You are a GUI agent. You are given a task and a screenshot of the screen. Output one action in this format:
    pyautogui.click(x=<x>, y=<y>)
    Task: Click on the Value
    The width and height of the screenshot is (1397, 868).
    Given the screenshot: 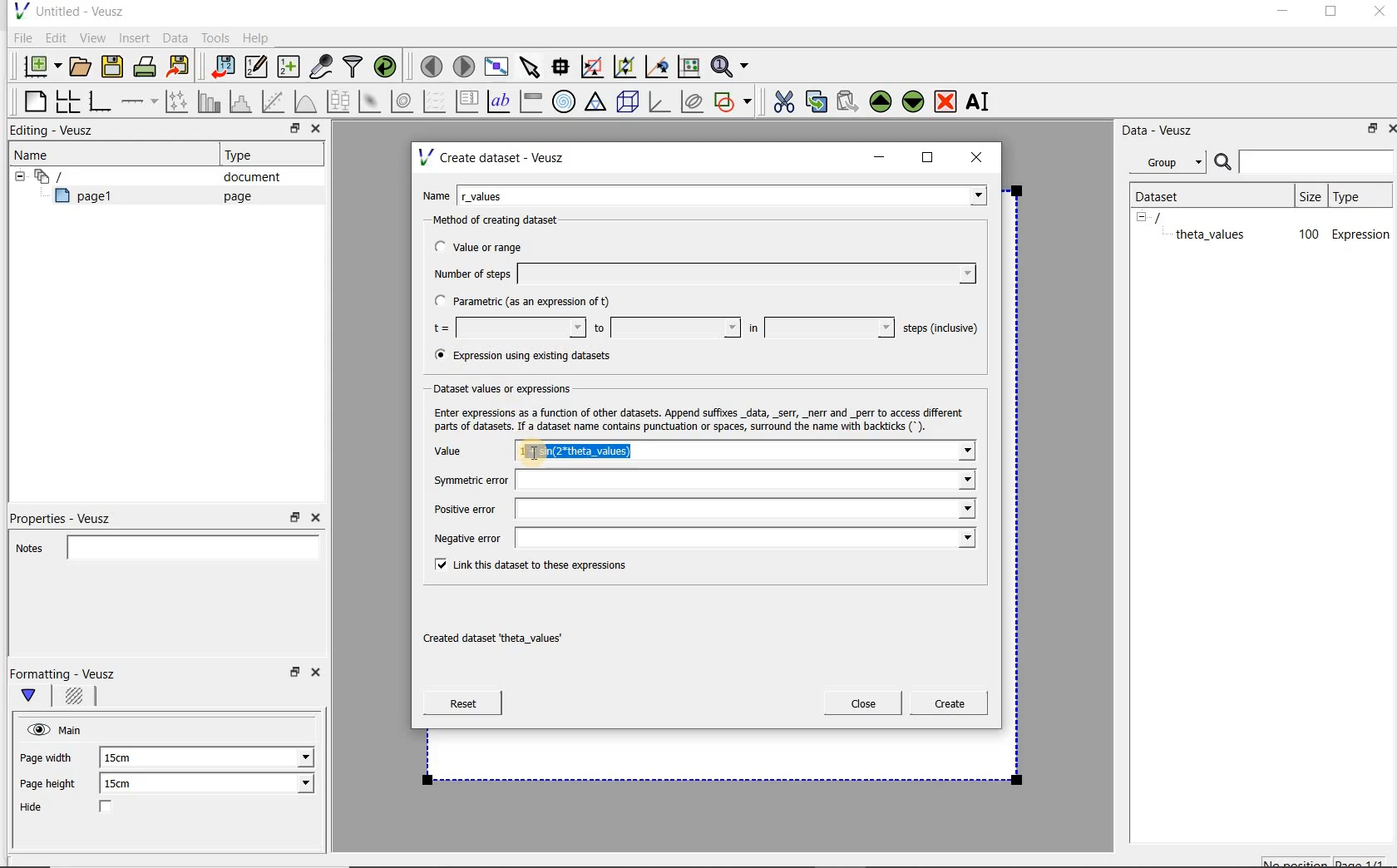 What is the action you would take?
    pyautogui.click(x=466, y=453)
    